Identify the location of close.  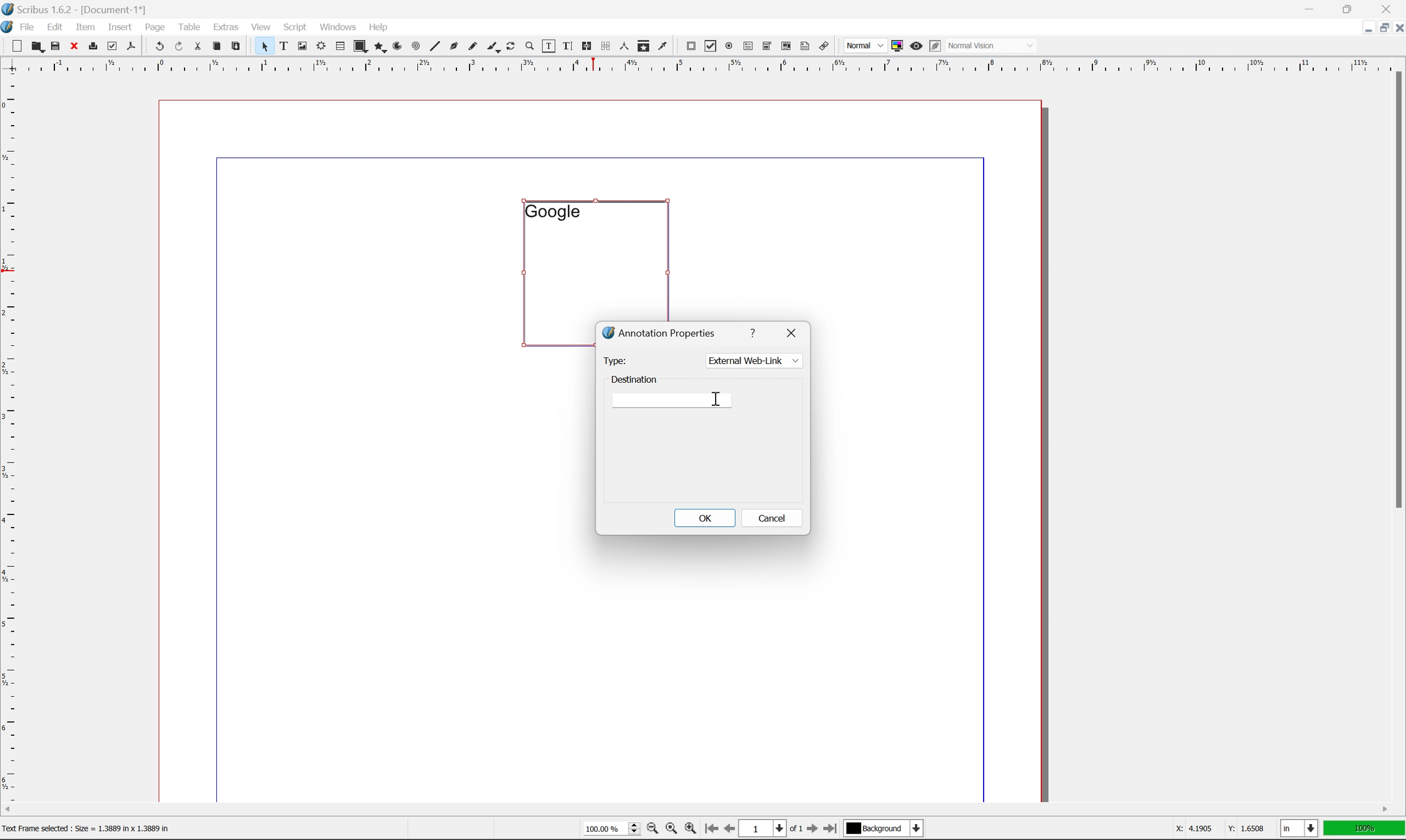
(794, 331).